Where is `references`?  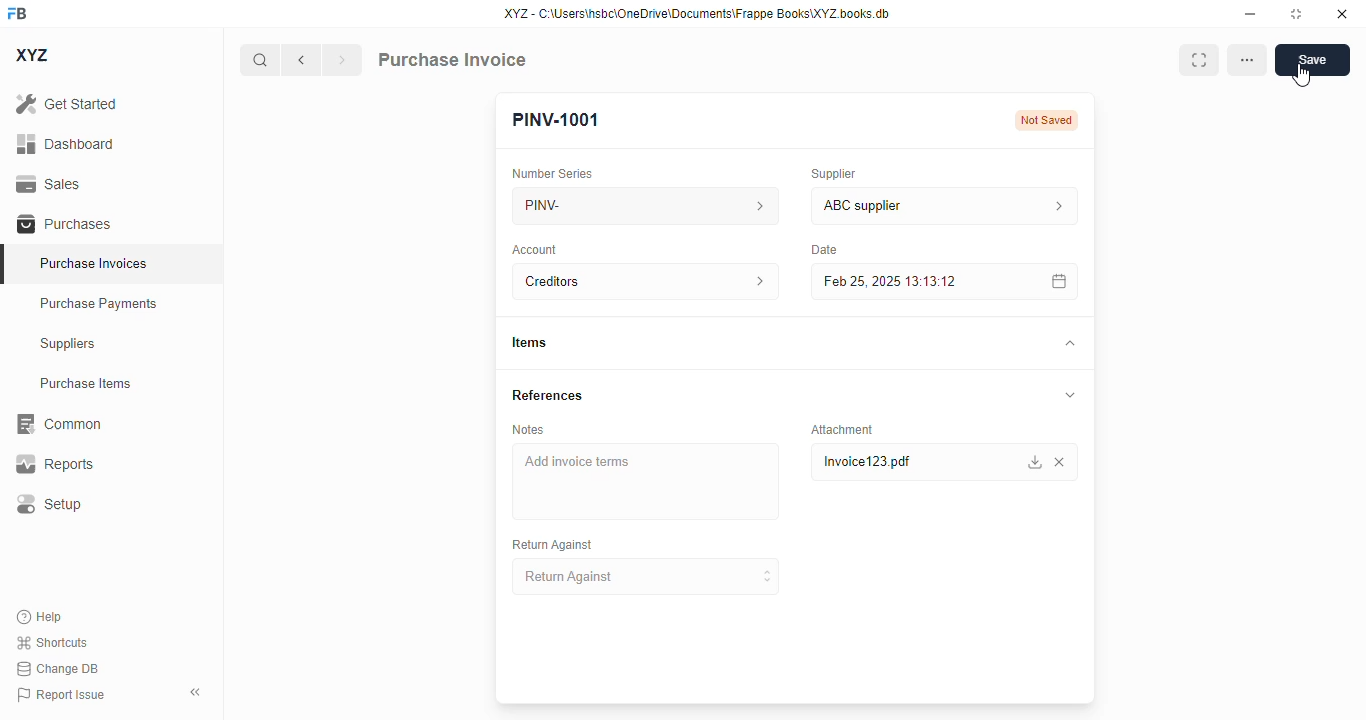
references is located at coordinates (548, 395).